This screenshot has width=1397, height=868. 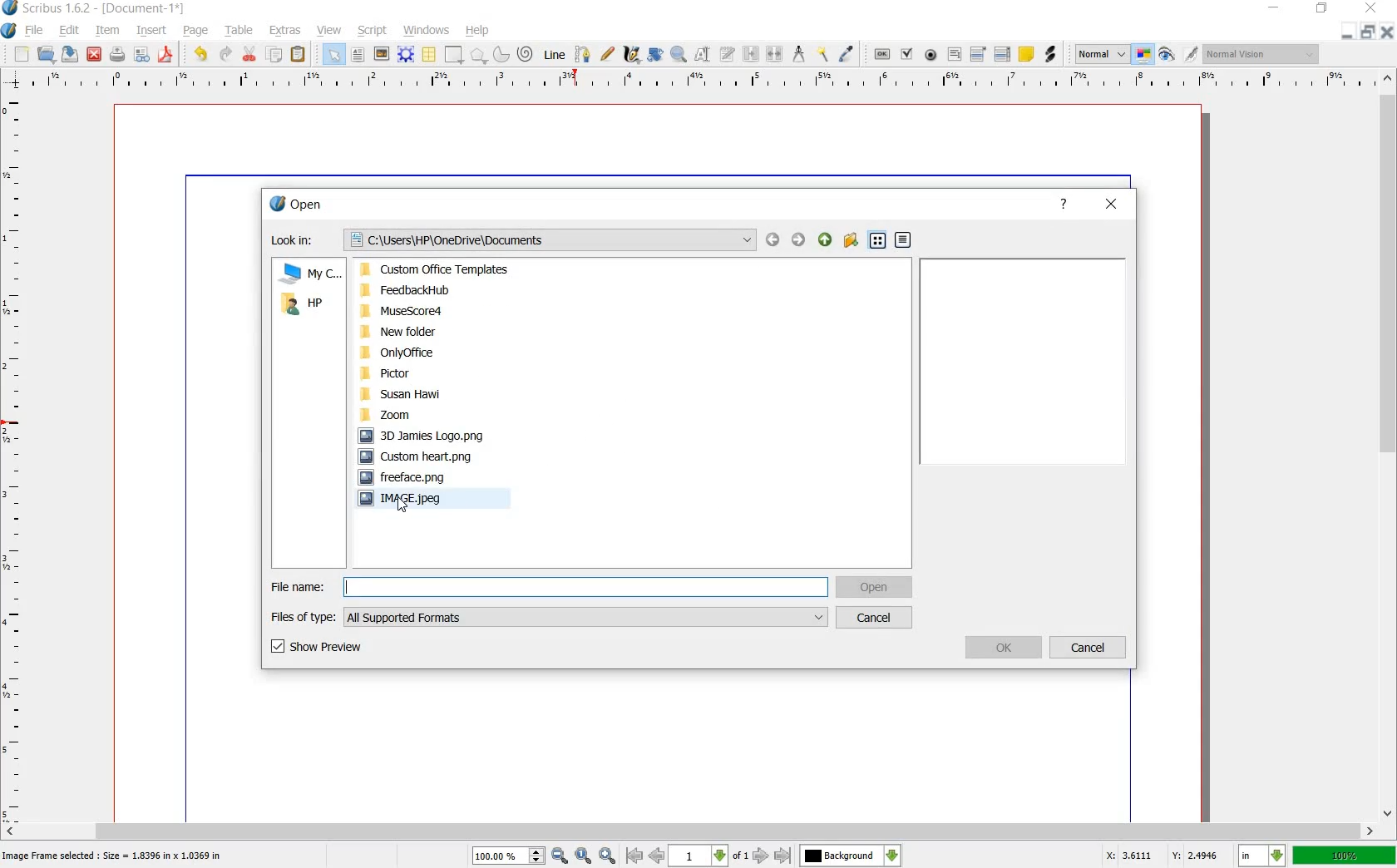 What do you see at coordinates (1275, 8) in the screenshot?
I see `minimize` at bounding box center [1275, 8].